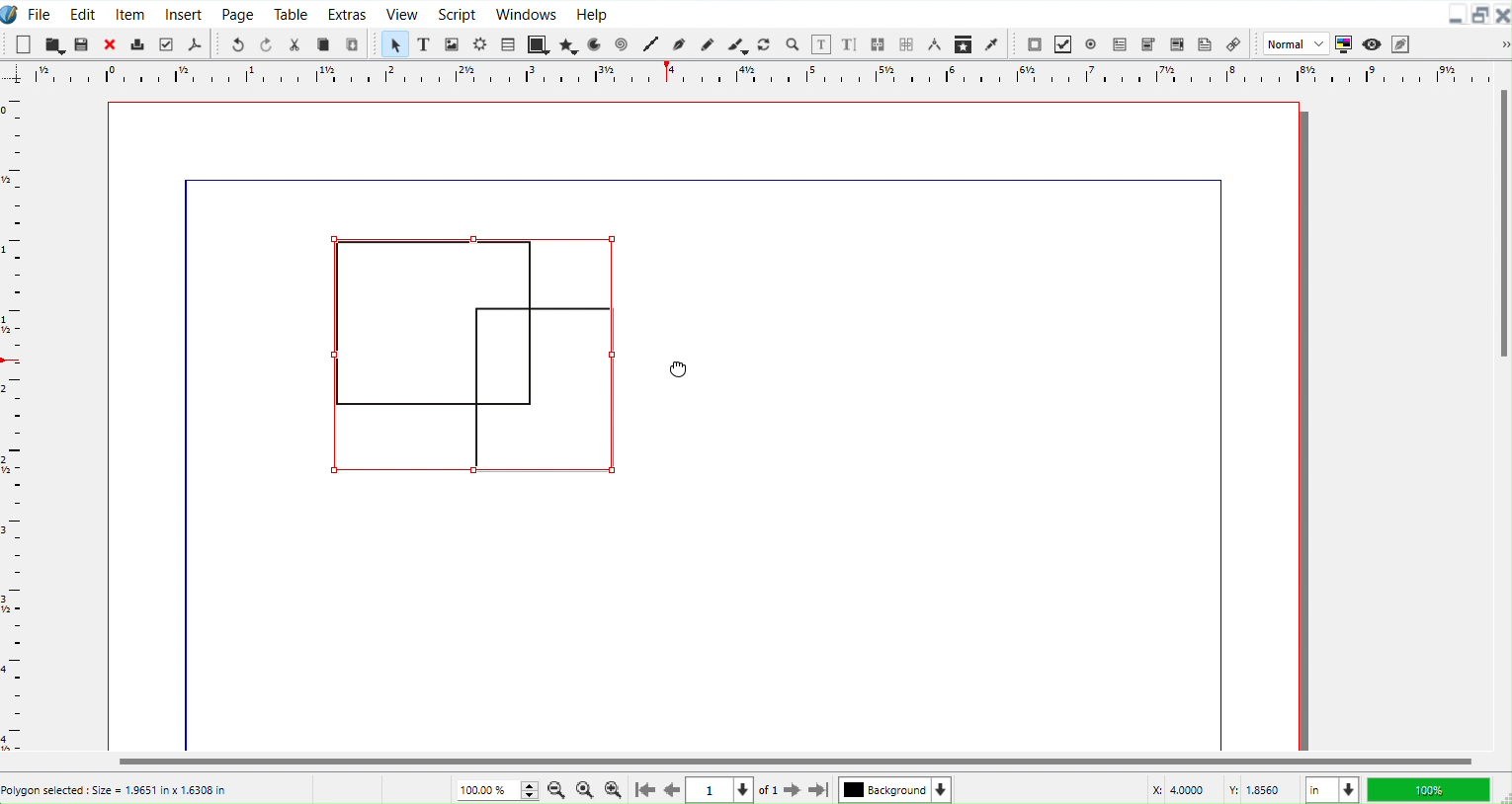  What do you see at coordinates (167, 42) in the screenshot?
I see `Preflight verifier` at bounding box center [167, 42].